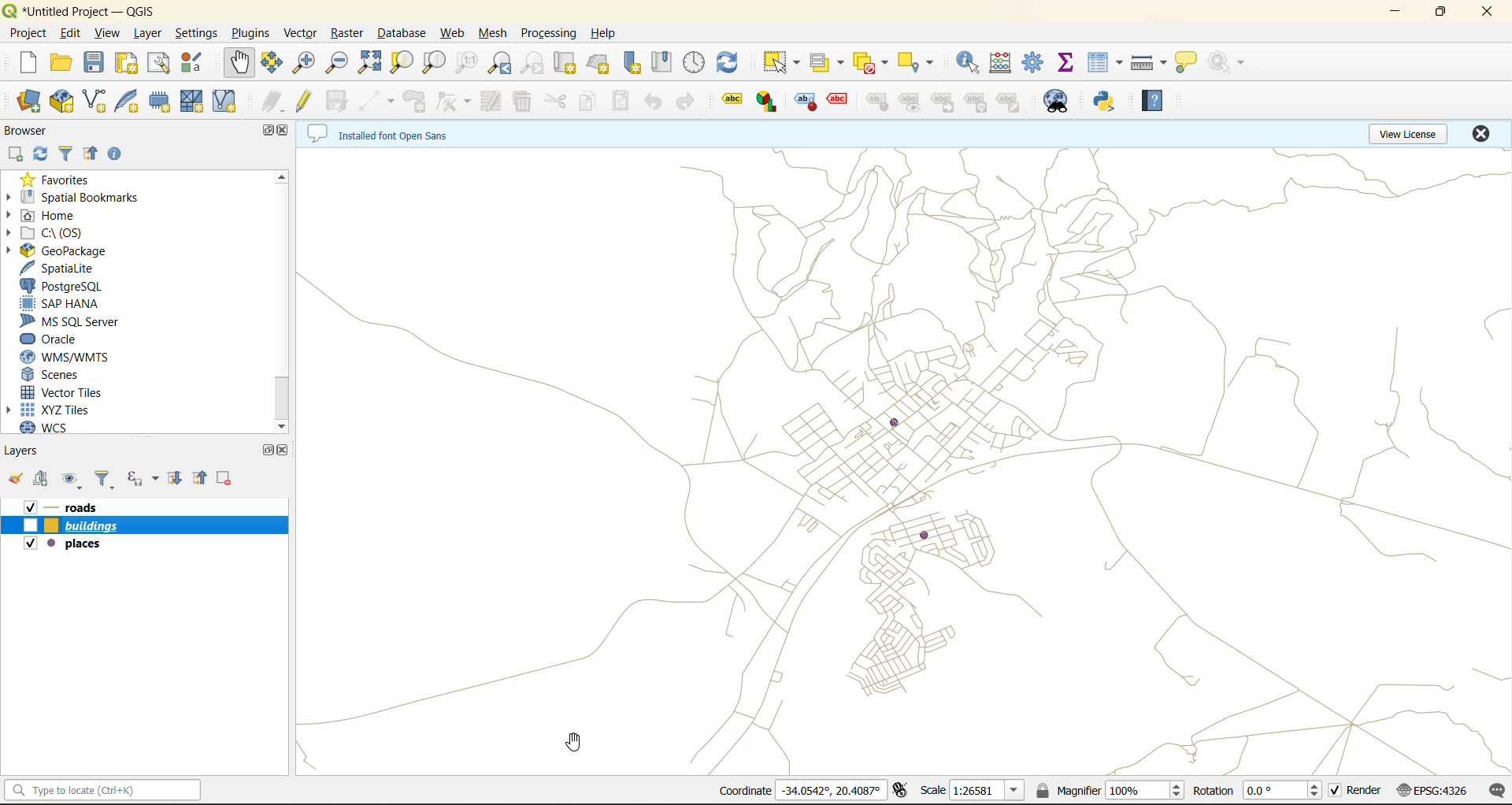 This screenshot has width=1512, height=805. Describe the element at coordinates (92, 154) in the screenshot. I see `collapse all` at that location.